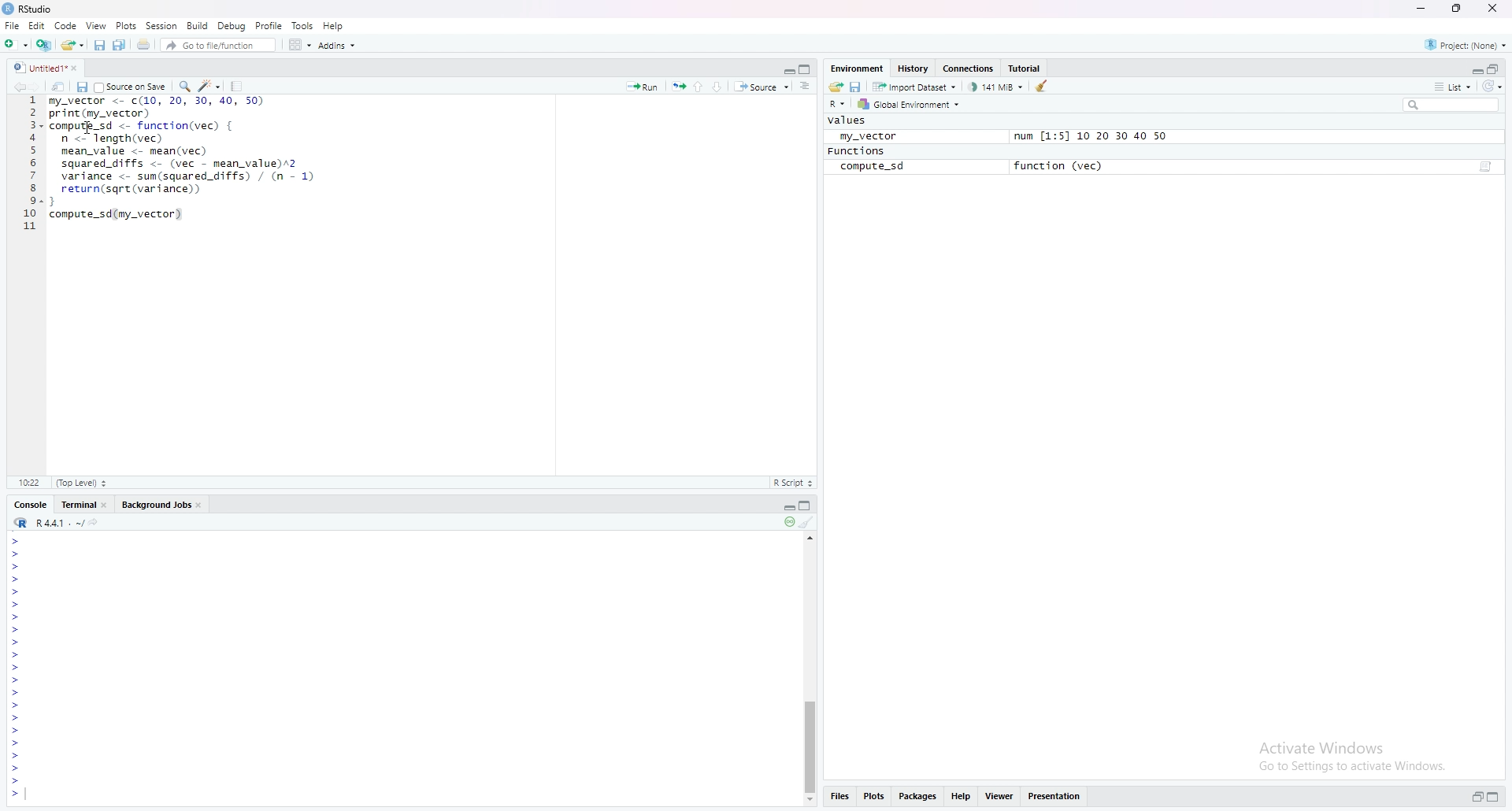  I want to click on Values, so click(848, 120).